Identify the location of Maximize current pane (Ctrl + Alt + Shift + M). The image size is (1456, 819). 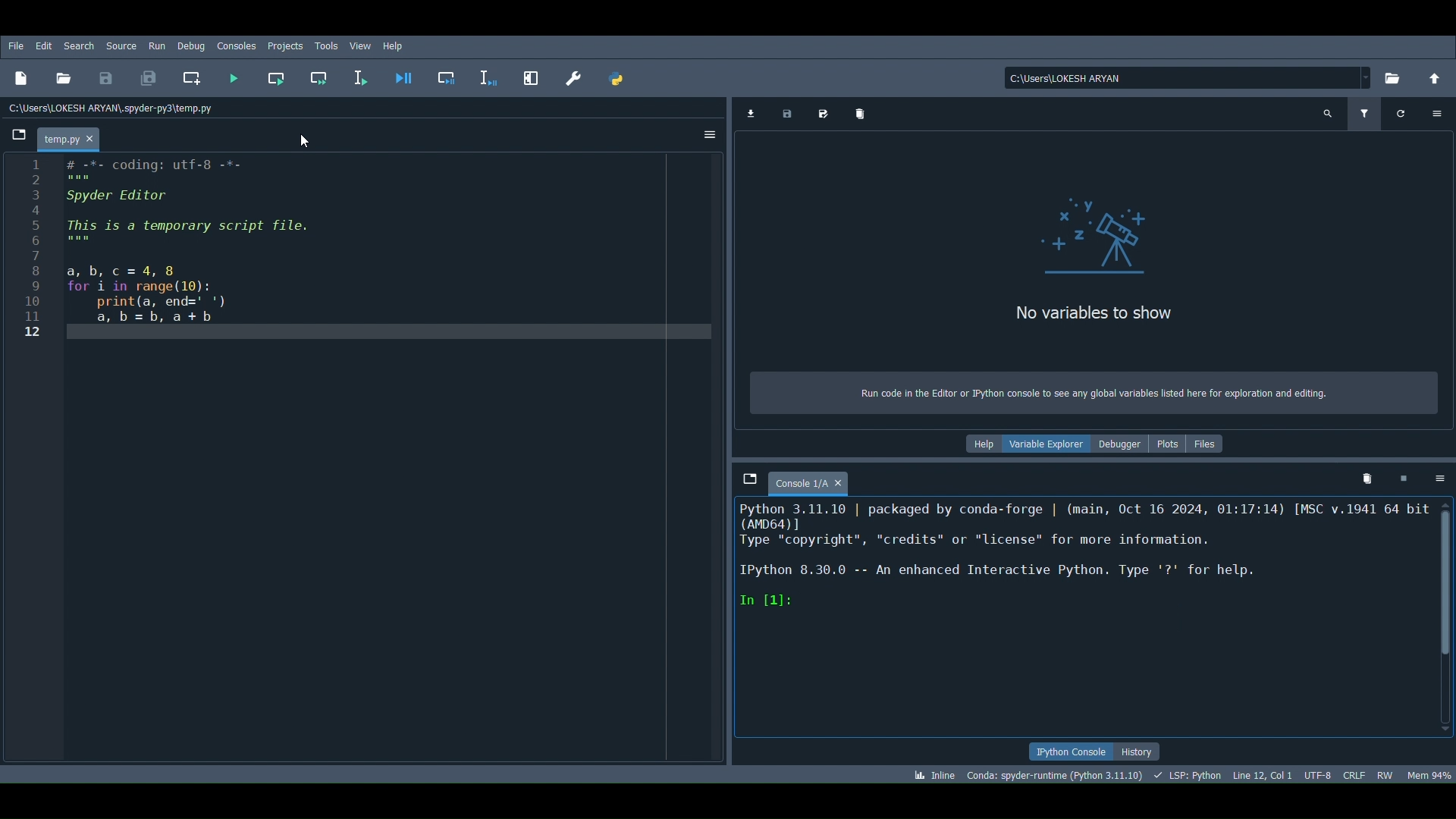
(529, 76).